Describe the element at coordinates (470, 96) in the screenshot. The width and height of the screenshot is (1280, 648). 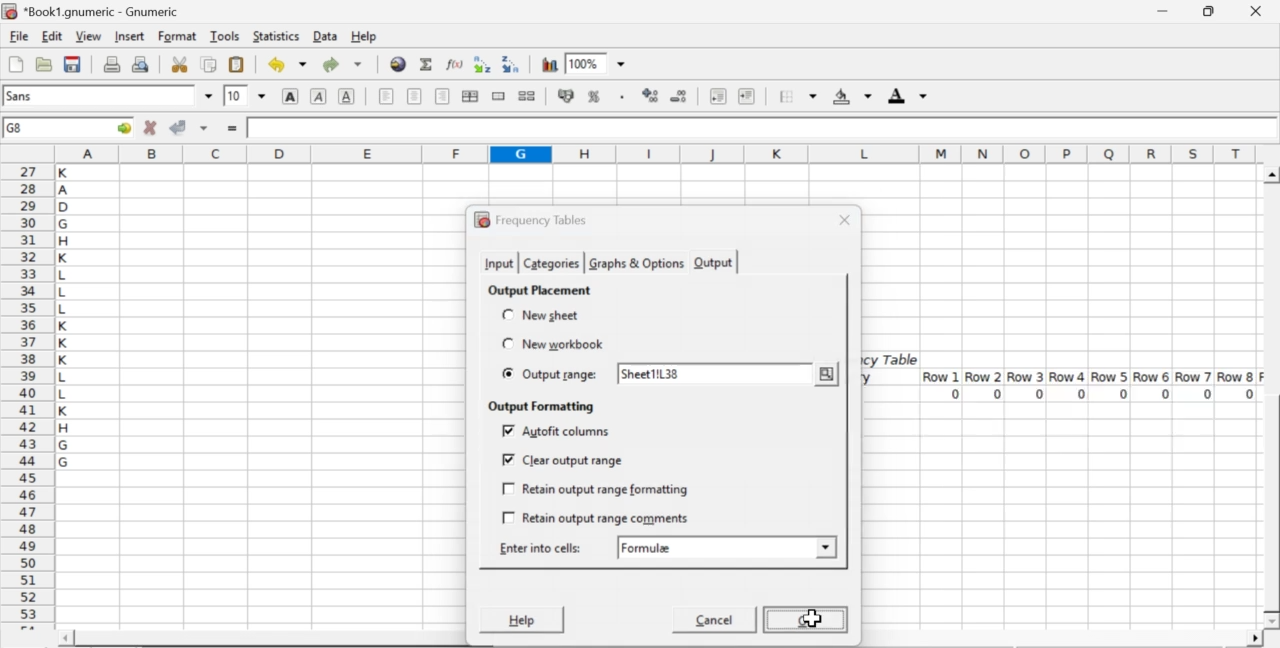
I see `center horizontally` at that location.